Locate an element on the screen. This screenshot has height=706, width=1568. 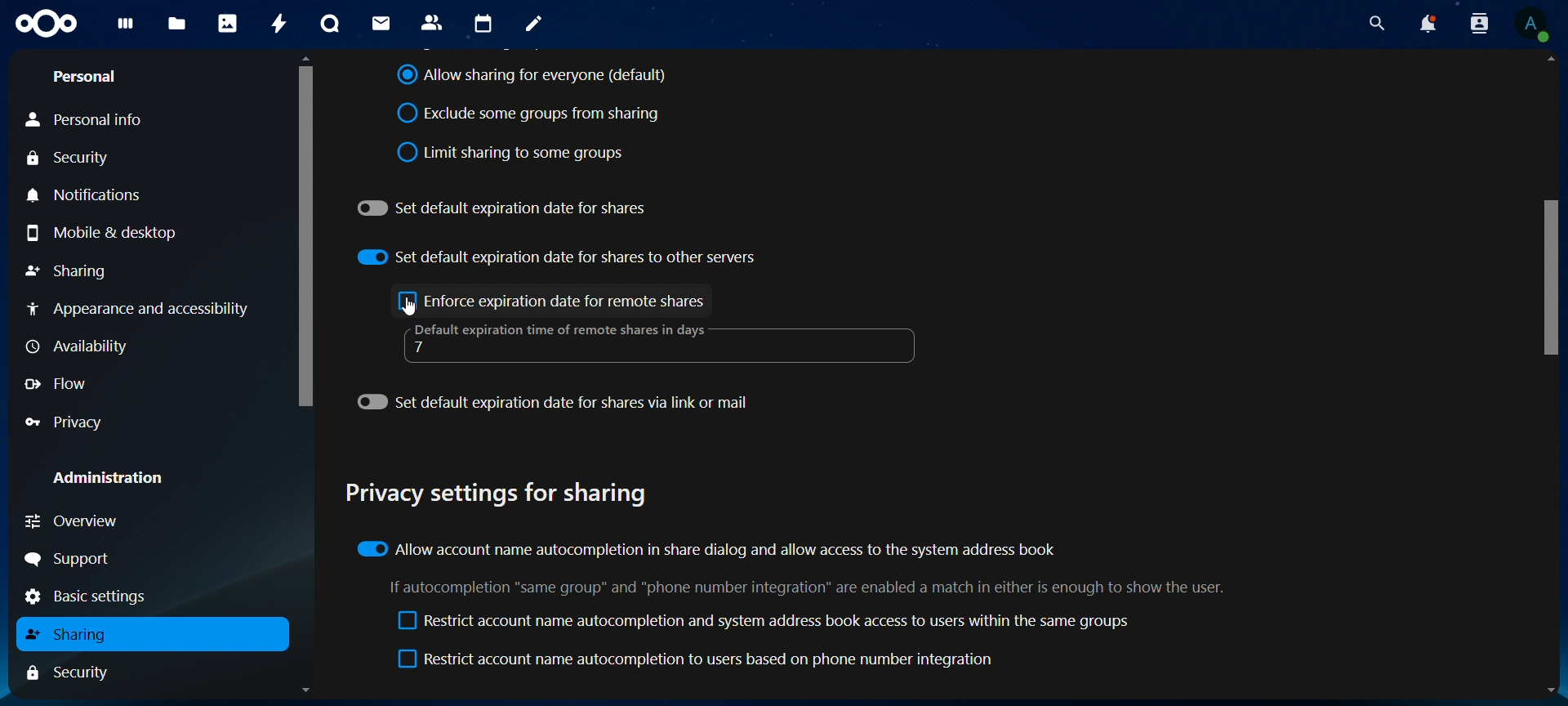
personal is located at coordinates (90, 77).